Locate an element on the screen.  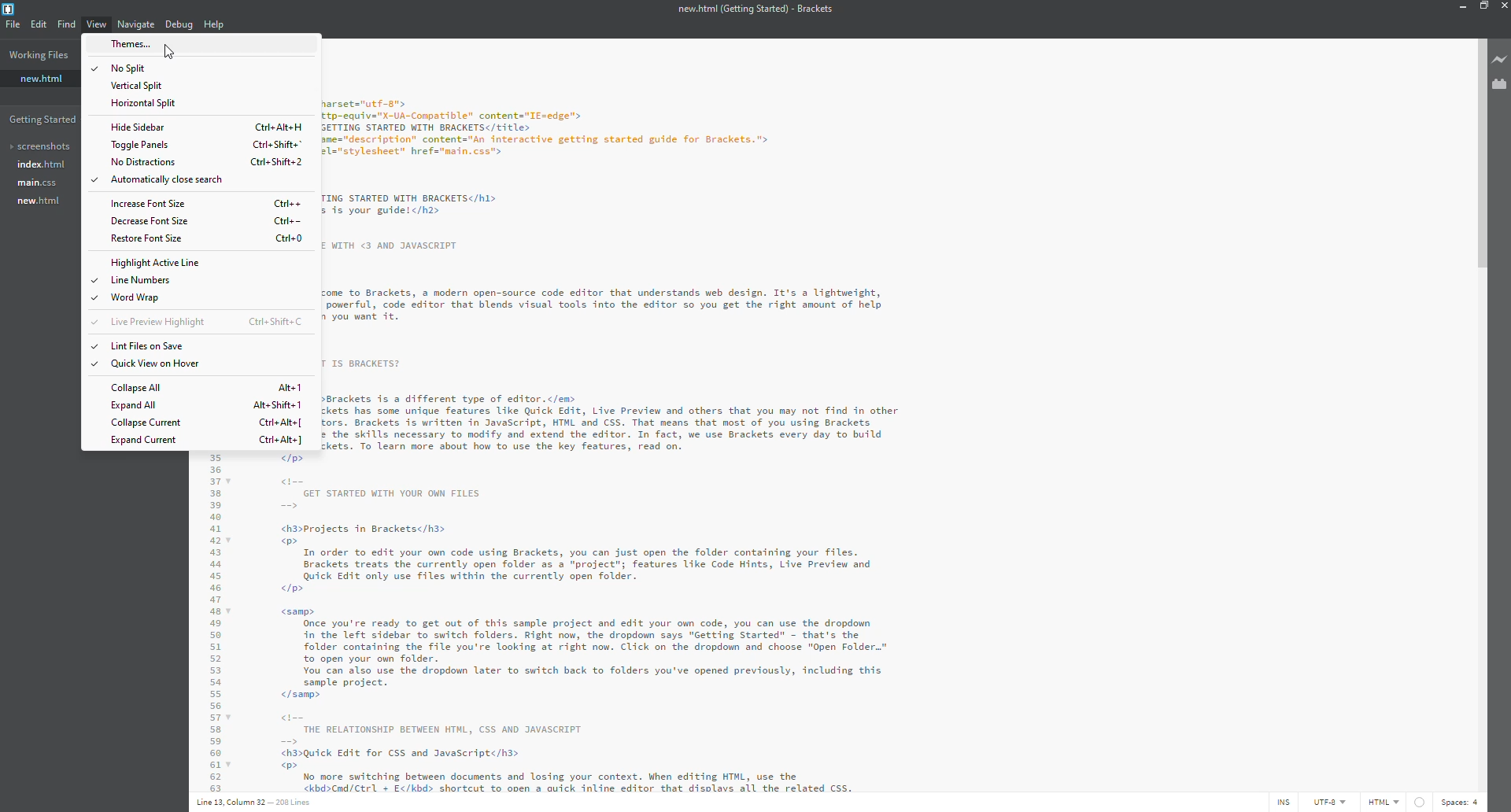
expand all is located at coordinates (131, 406).